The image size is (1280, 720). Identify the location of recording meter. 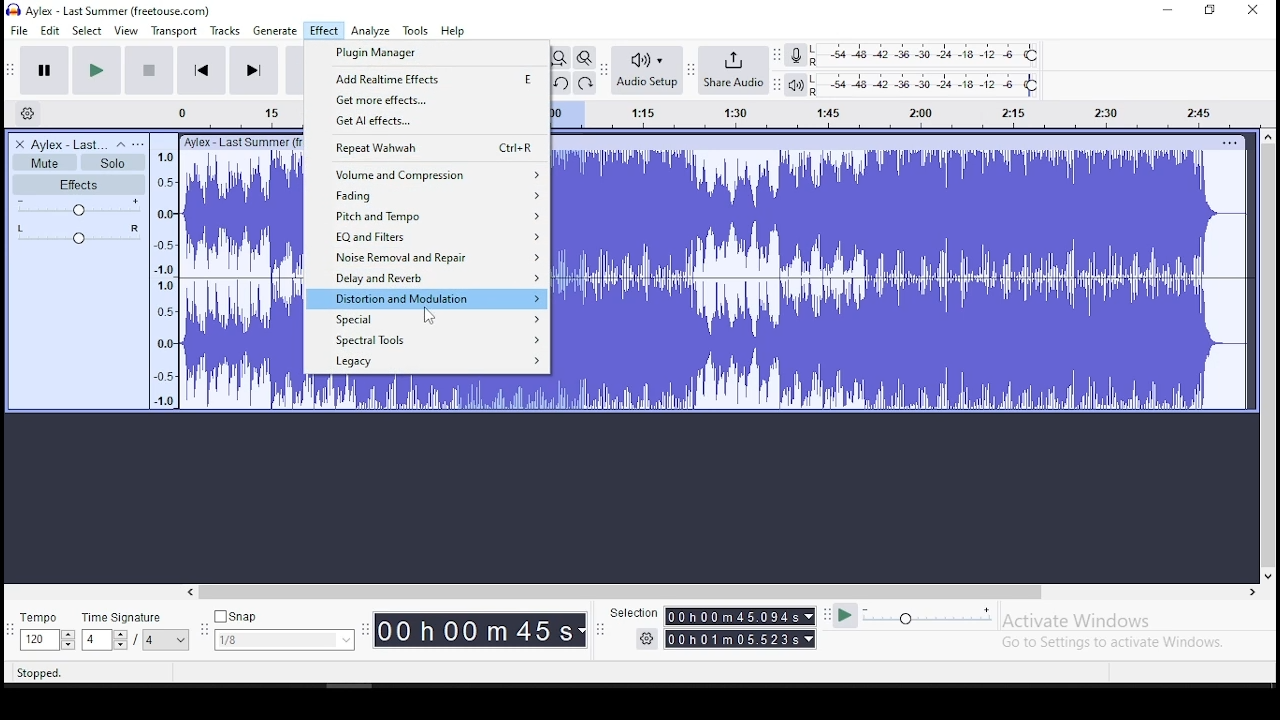
(796, 54).